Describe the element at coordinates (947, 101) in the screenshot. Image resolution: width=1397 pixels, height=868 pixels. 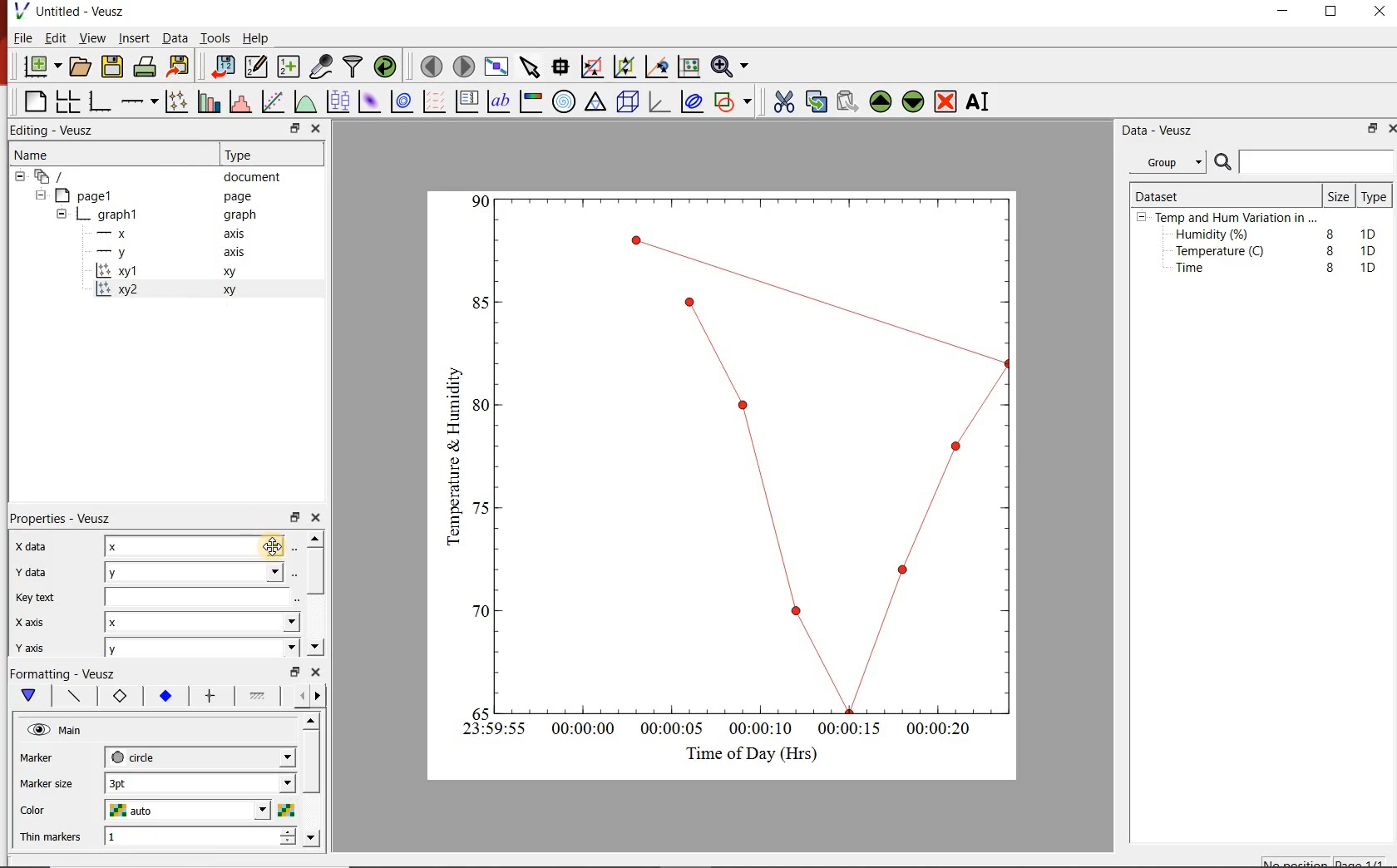
I see `Remove the selected widget` at that location.